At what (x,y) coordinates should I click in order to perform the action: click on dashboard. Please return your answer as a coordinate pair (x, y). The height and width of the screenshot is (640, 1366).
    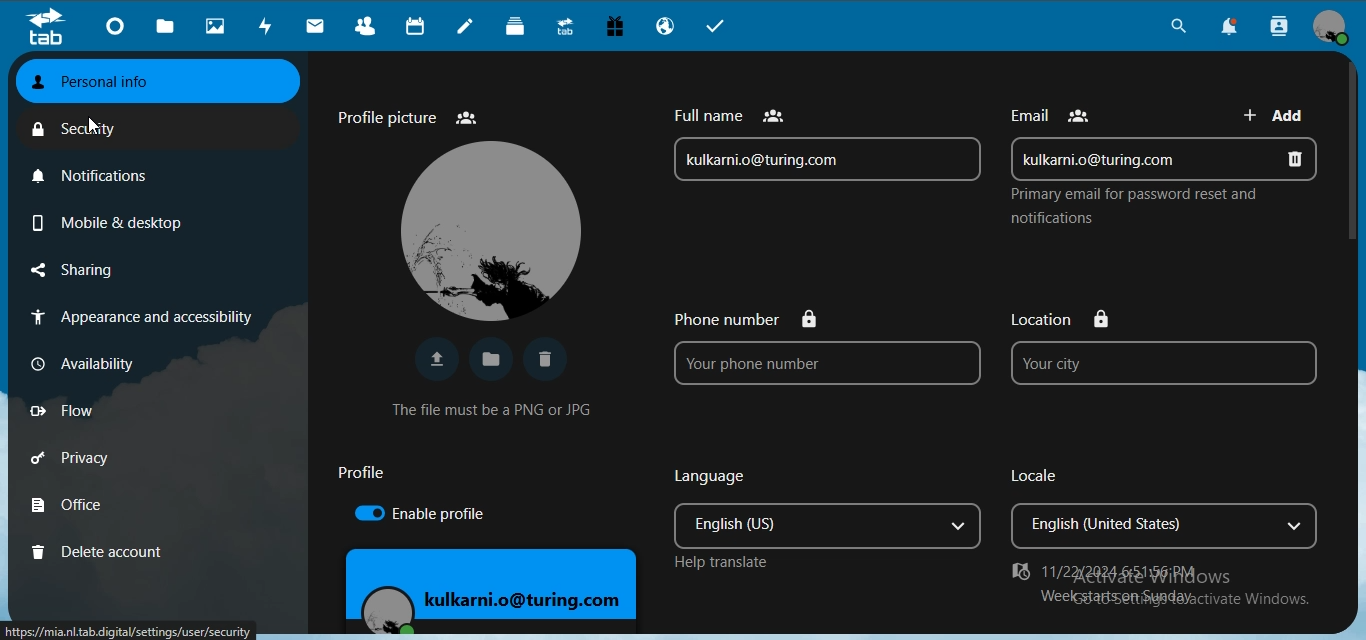
    Looking at the image, I should click on (118, 29).